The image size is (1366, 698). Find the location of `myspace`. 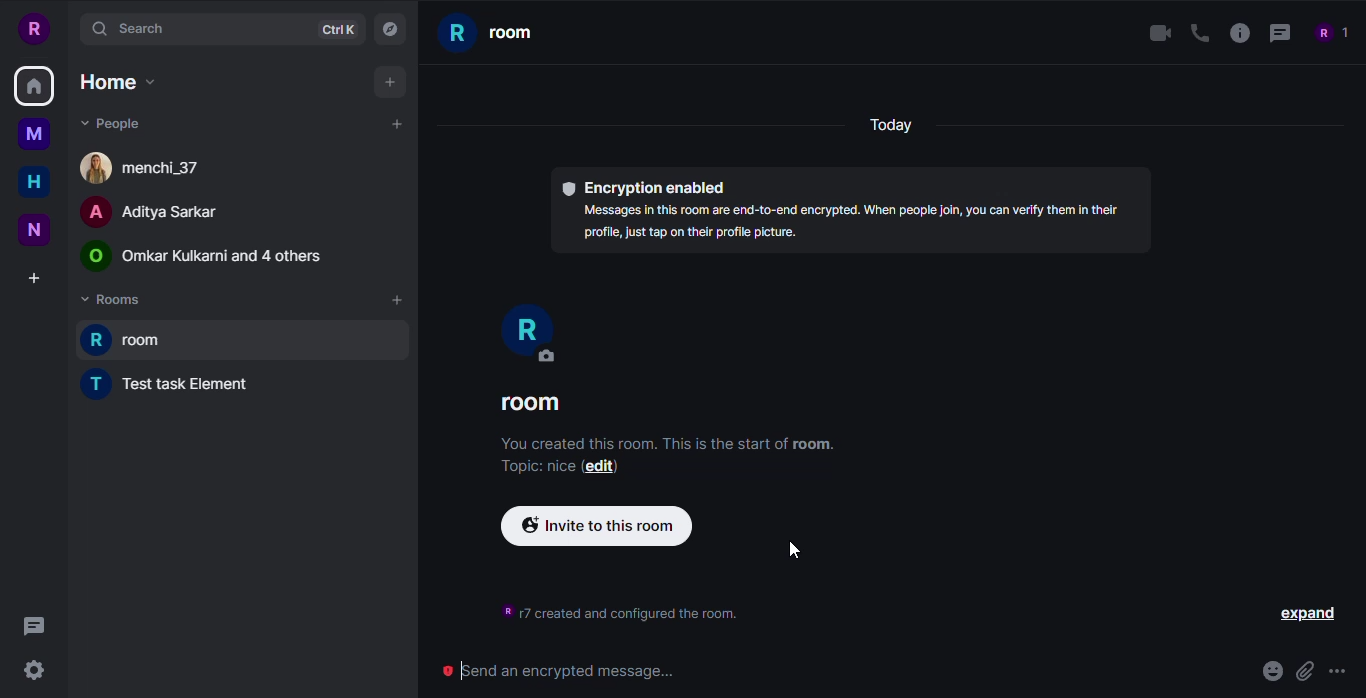

myspace is located at coordinates (34, 134).